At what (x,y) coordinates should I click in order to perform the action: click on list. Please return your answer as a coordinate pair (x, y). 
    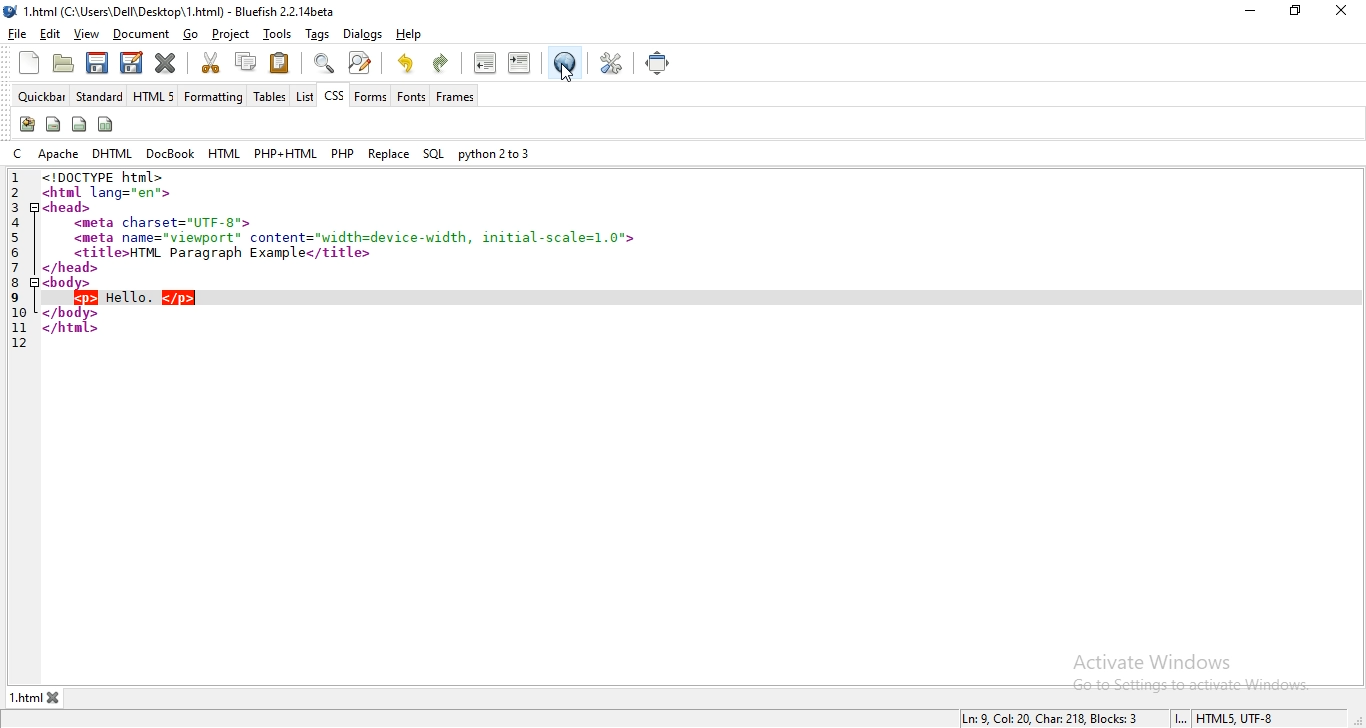
    Looking at the image, I should click on (303, 96).